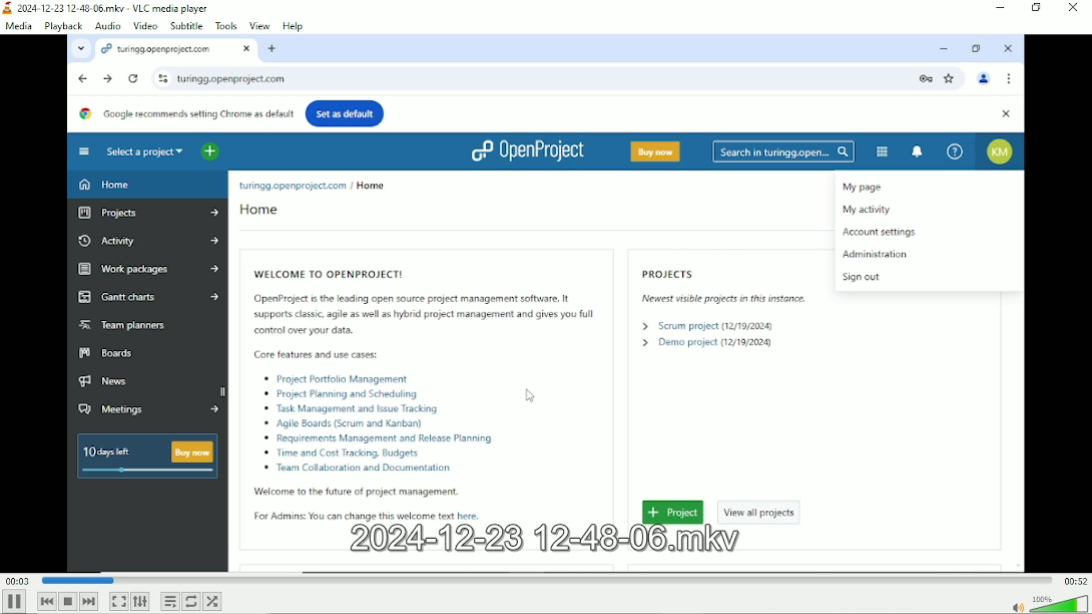 Image resolution: width=1092 pixels, height=614 pixels. What do you see at coordinates (68, 601) in the screenshot?
I see `Stop playback` at bounding box center [68, 601].